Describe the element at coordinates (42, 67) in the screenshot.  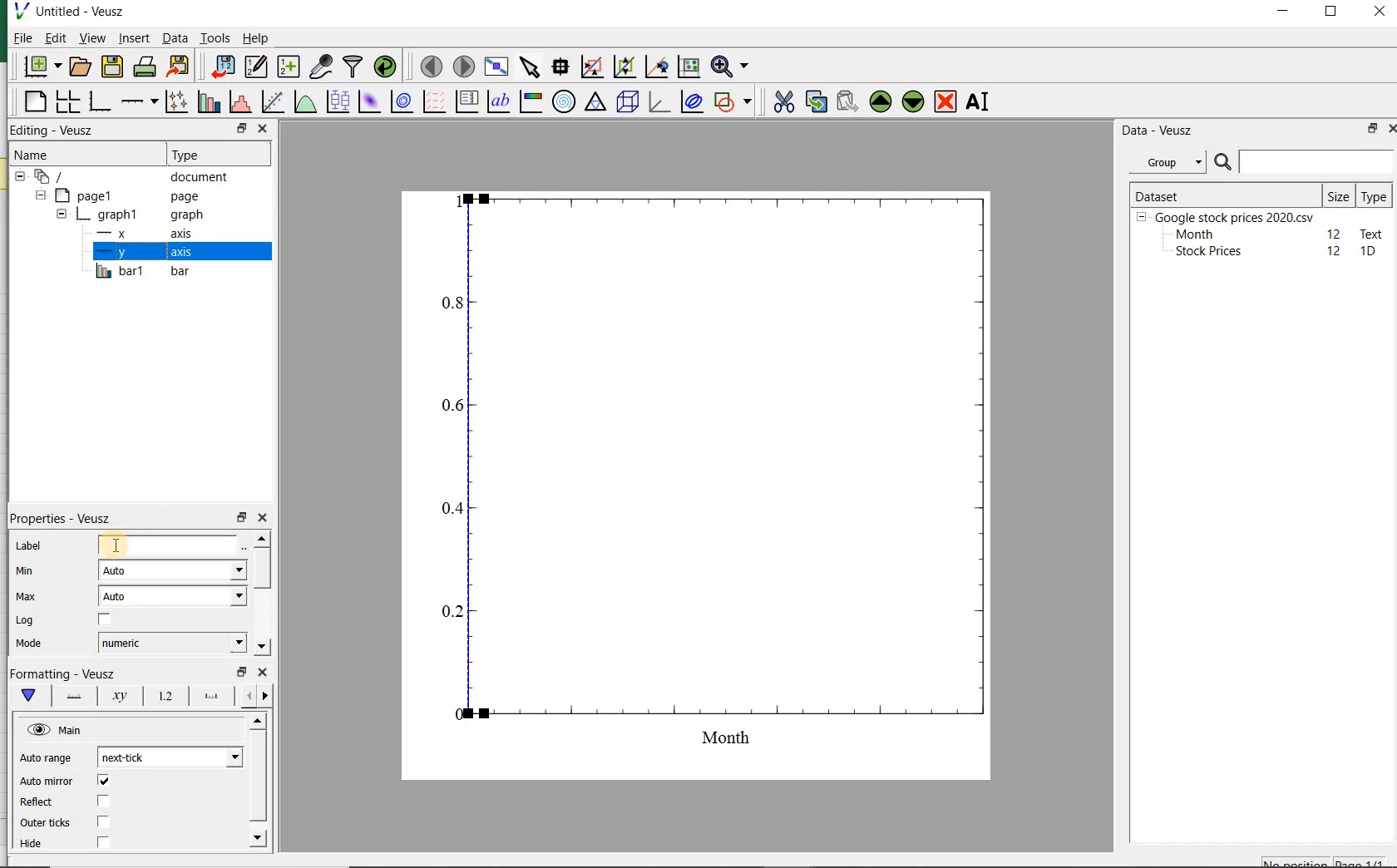
I see `new document` at that location.